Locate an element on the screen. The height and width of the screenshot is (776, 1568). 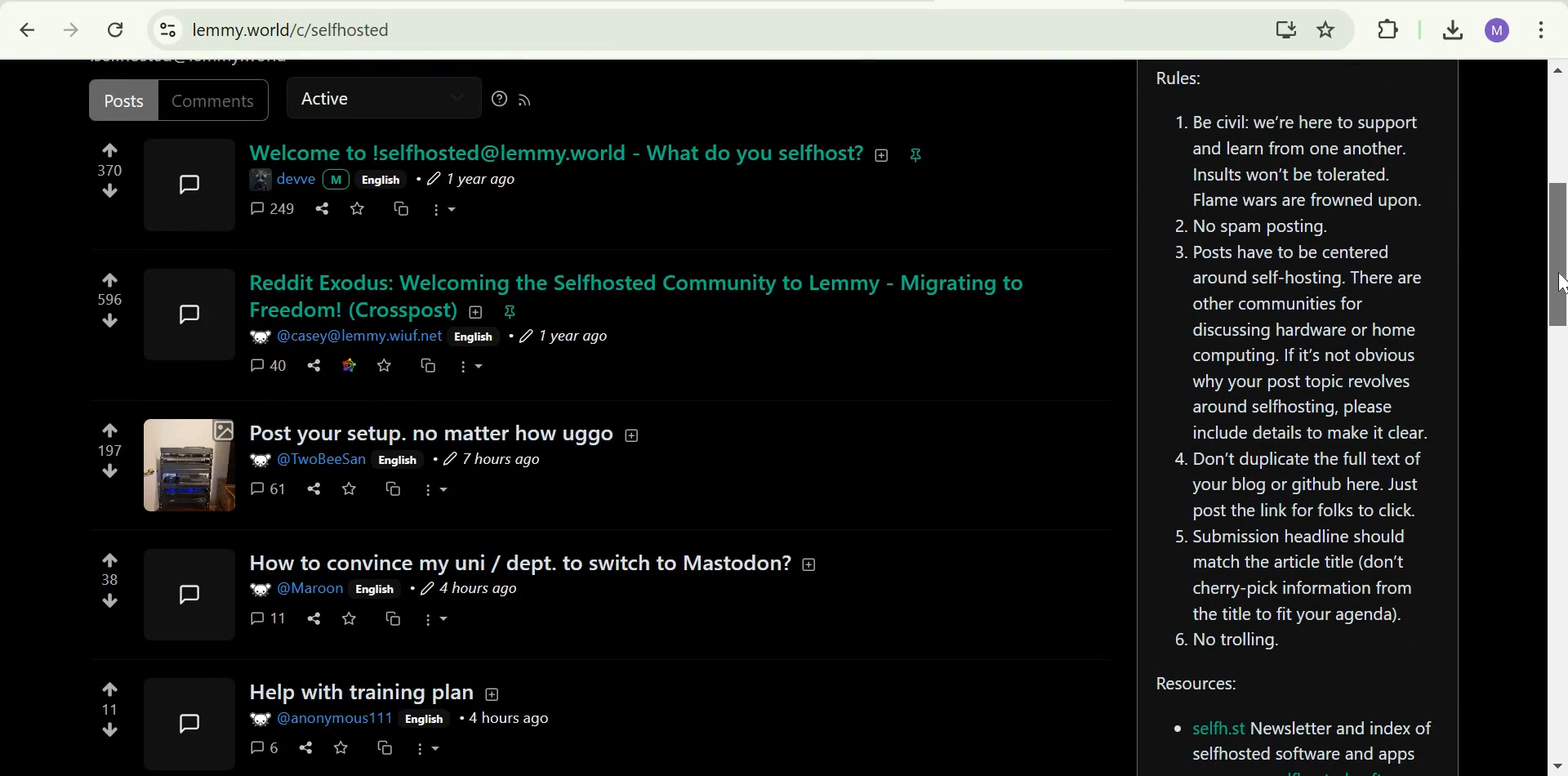
downvote is located at coordinates (111, 600).